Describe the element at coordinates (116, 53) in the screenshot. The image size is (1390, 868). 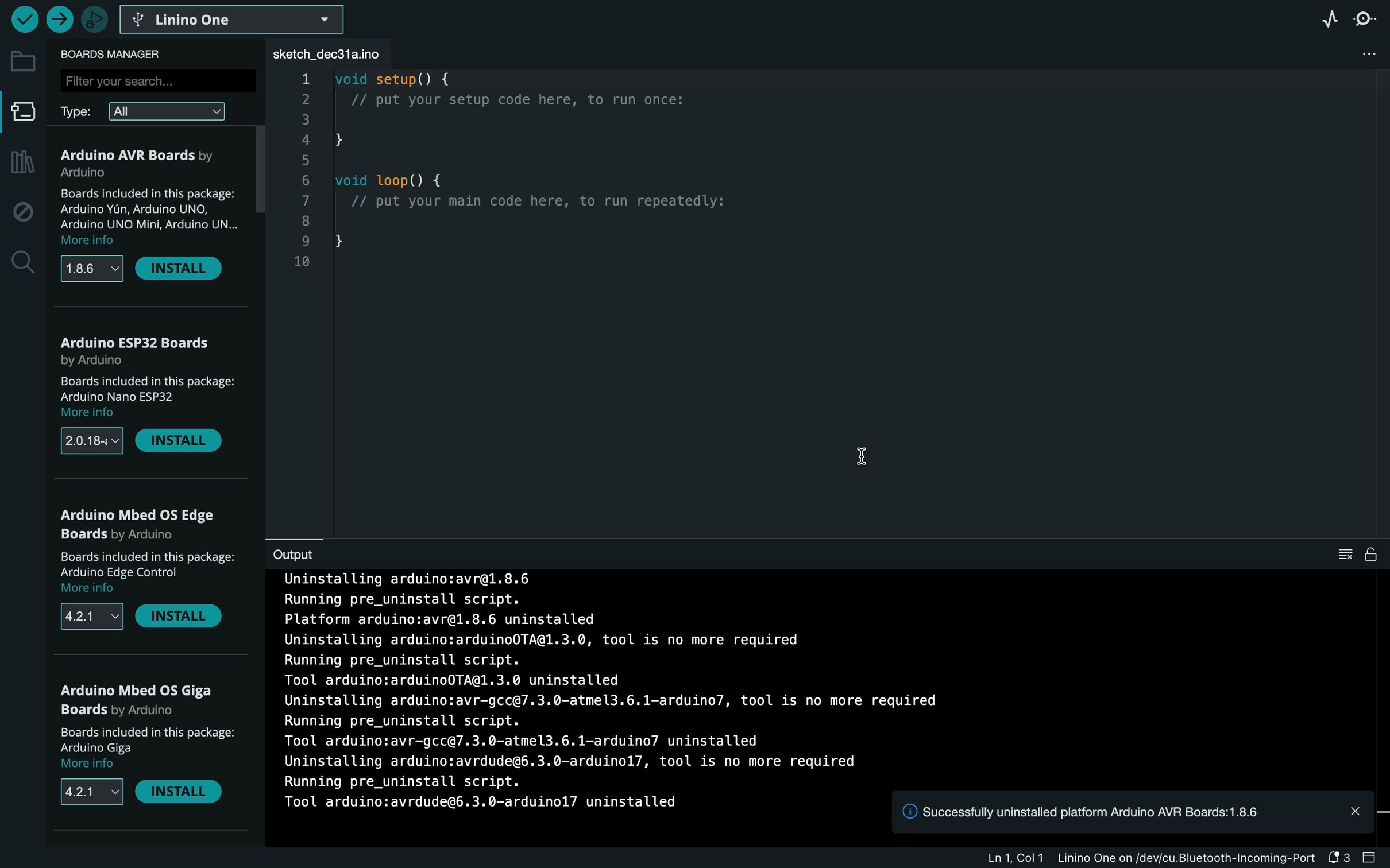
I see `board manager` at that location.